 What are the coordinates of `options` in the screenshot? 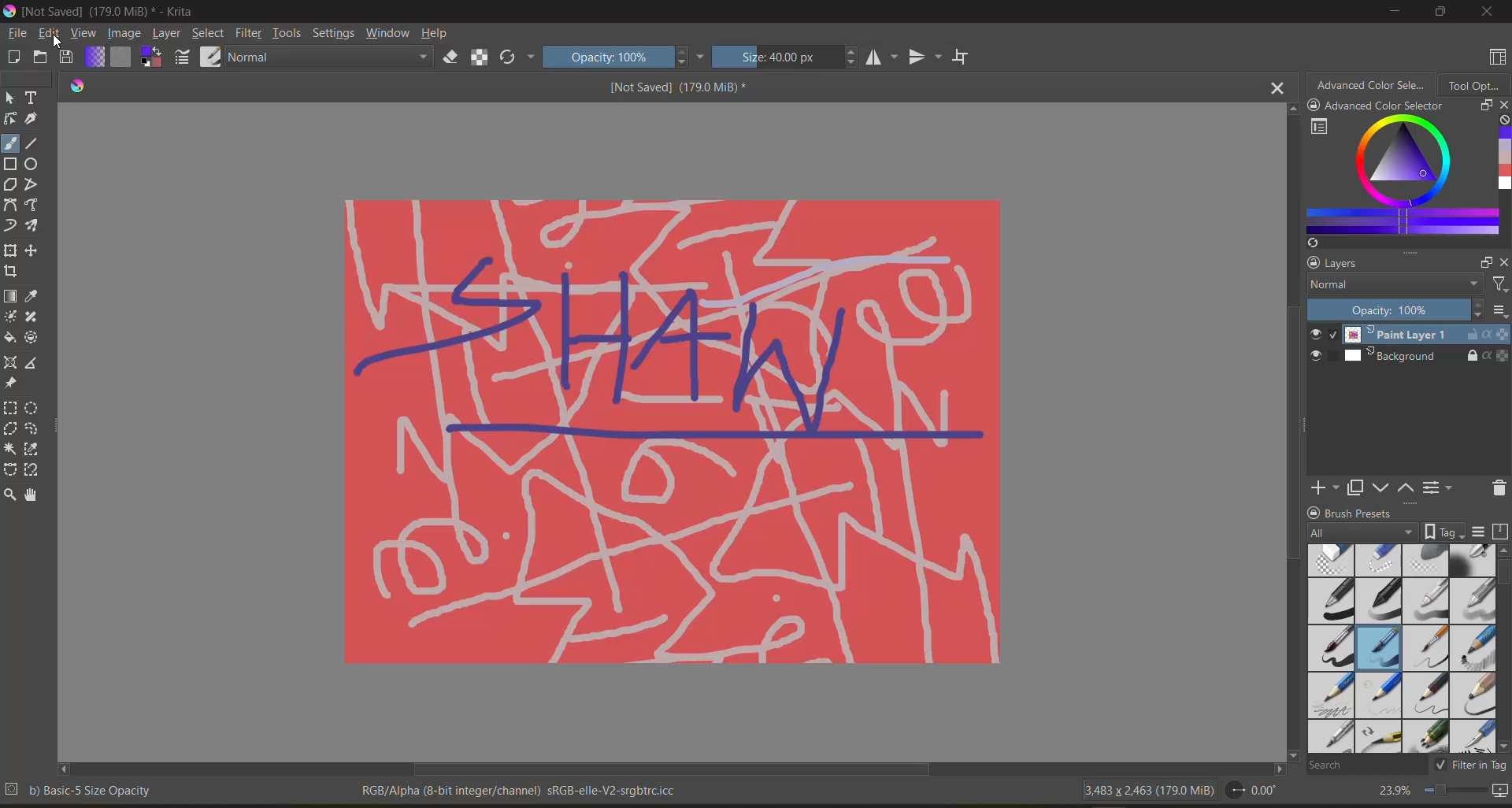 It's located at (1502, 313).